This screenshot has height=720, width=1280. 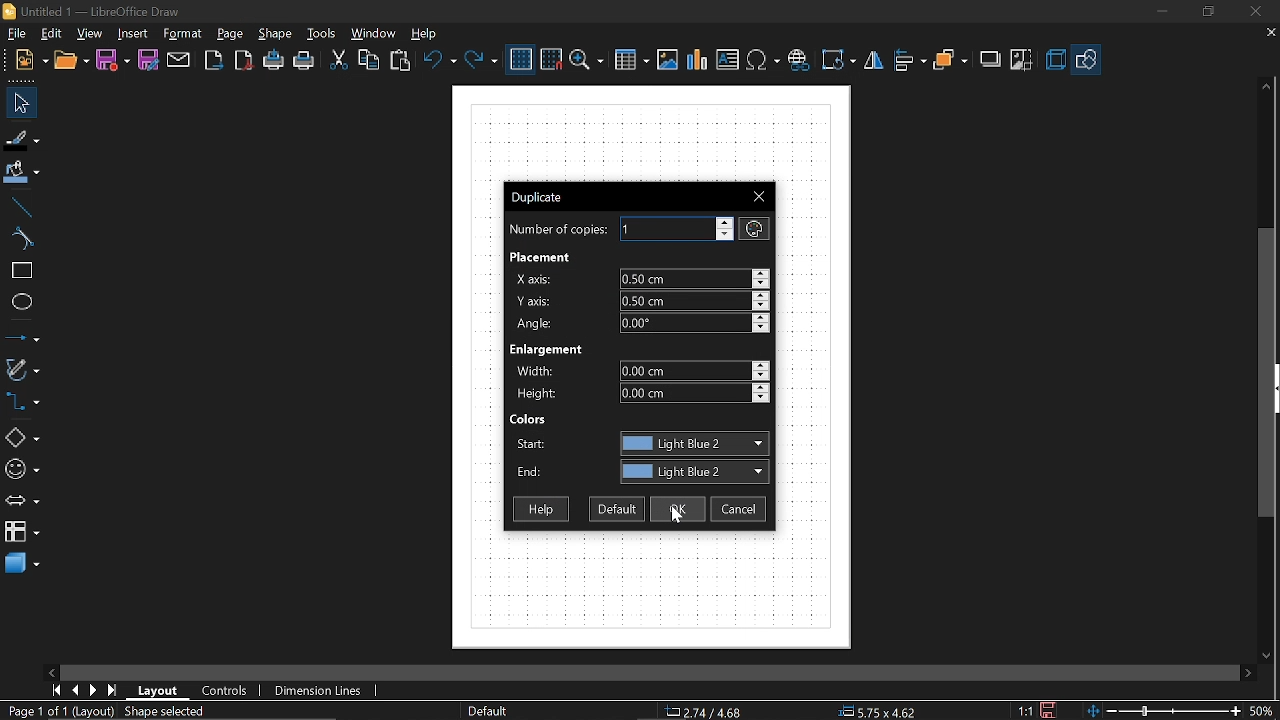 What do you see at coordinates (552, 59) in the screenshot?
I see `snap to grid` at bounding box center [552, 59].